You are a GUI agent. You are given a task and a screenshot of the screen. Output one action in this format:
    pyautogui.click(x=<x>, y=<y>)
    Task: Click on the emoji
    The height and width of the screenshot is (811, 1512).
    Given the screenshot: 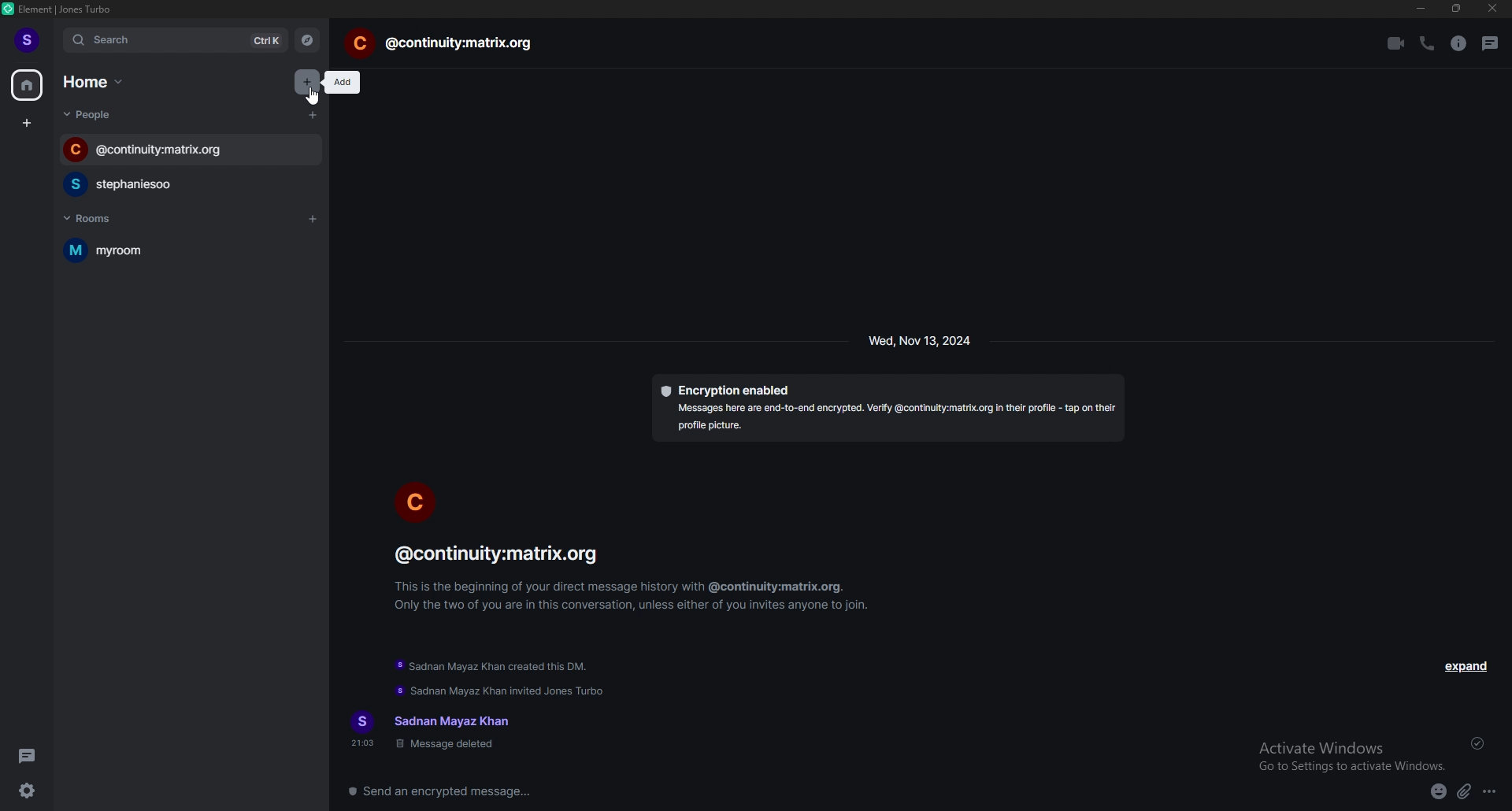 What is the action you would take?
    pyautogui.click(x=1439, y=793)
    